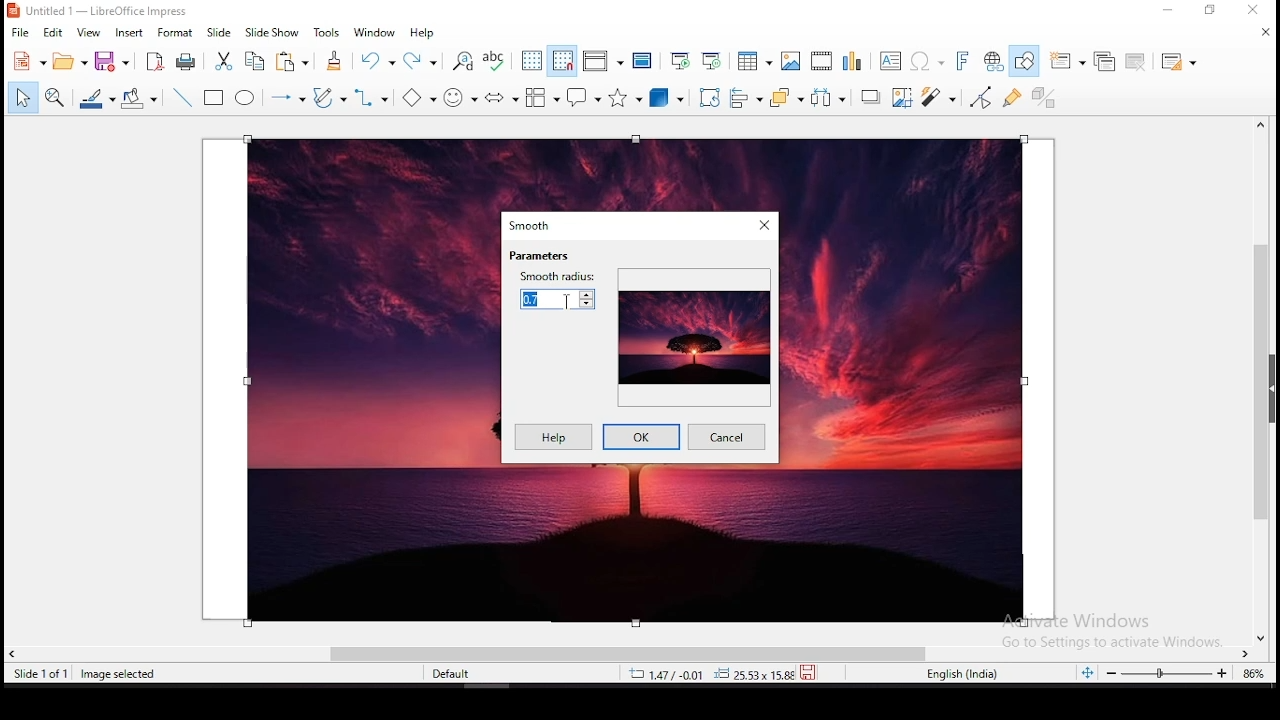 The height and width of the screenshot is (720, 1280). Describe the element at coordinates (224, 61) in the screenshot. I see `cut` at that location.